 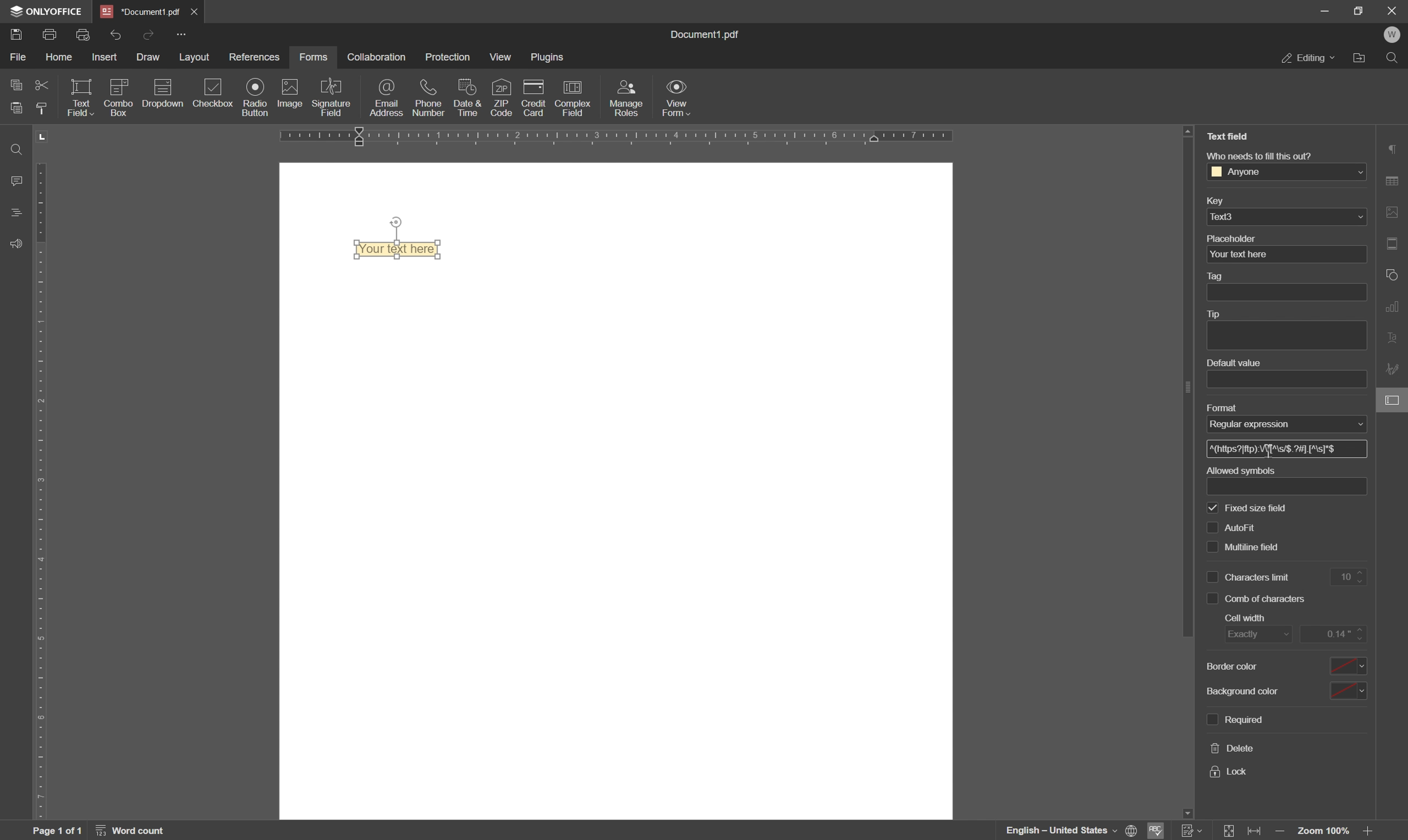 What do you see at coordinates (13, 85) in the screenshot?
I see `copy` at bounding box center [13, 85].